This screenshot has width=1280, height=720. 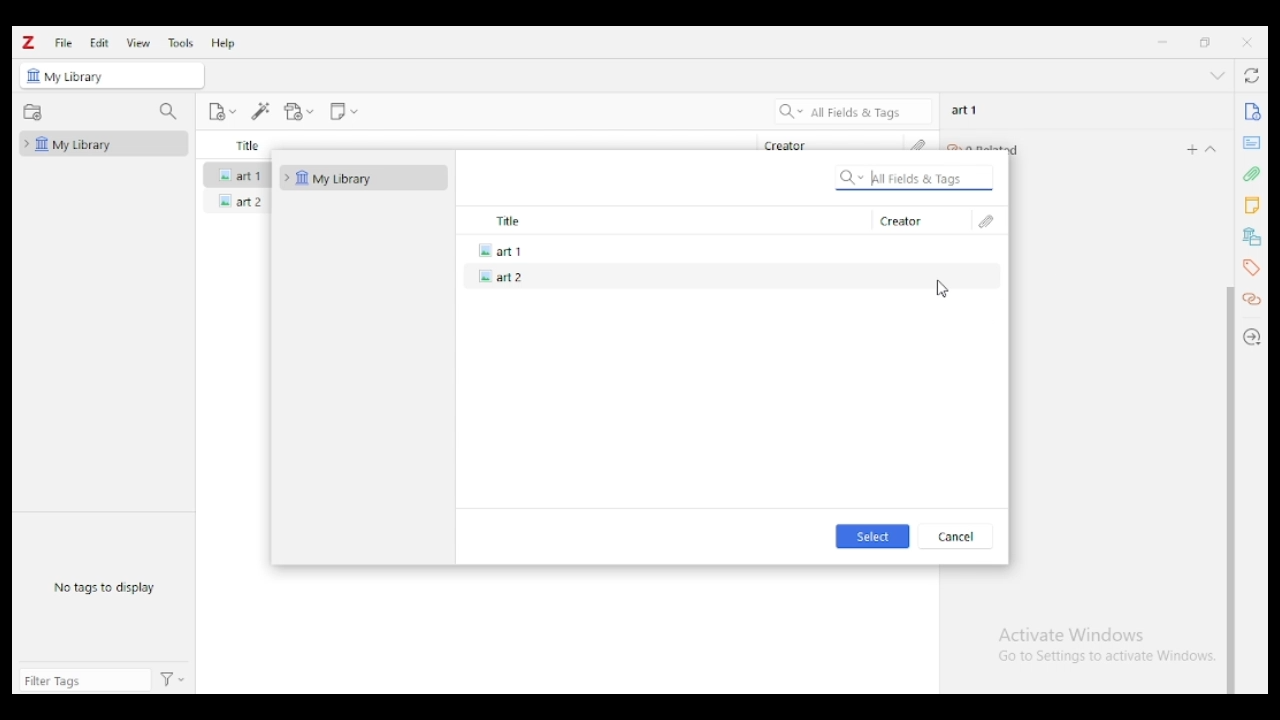 What do you see at coordinates (363, 178) in the screenshot?
I see `my library` at bounding box center [363, 178].